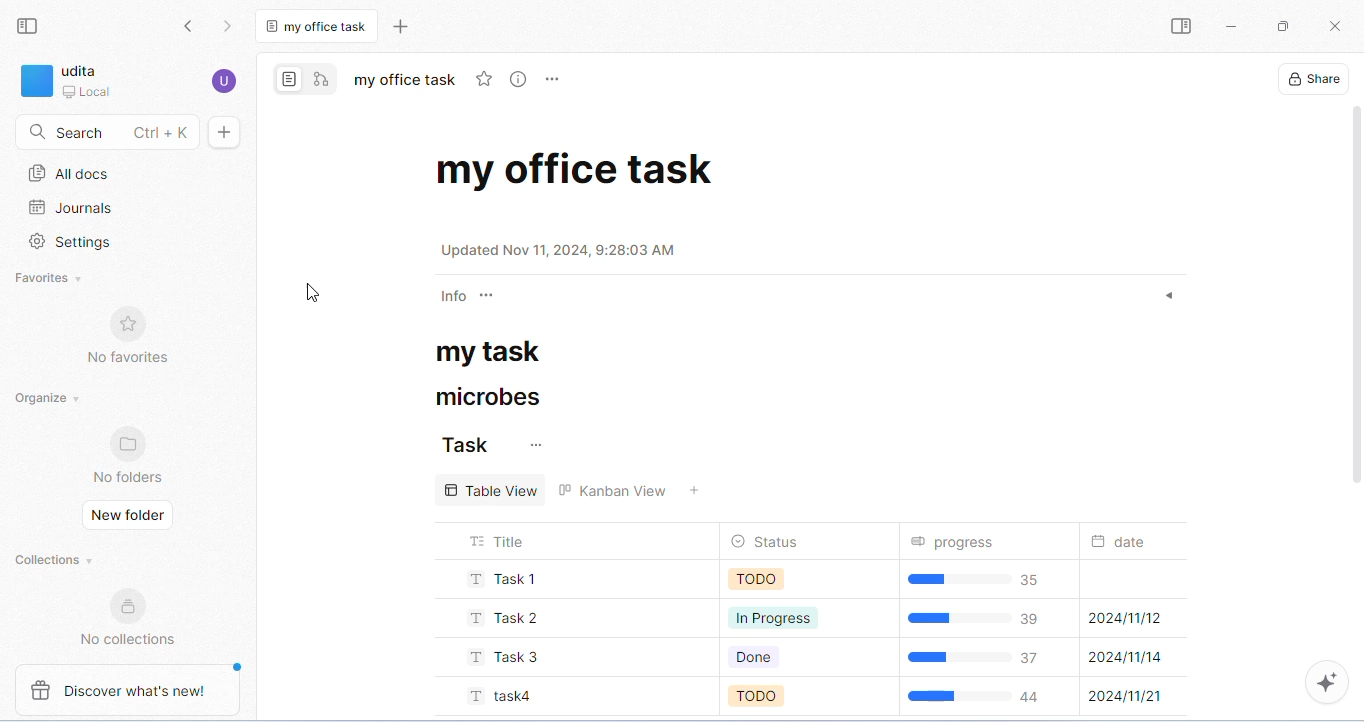 The width and height of the screenshot is (1364, 722). I want to click on cursor, so click(313, 294).